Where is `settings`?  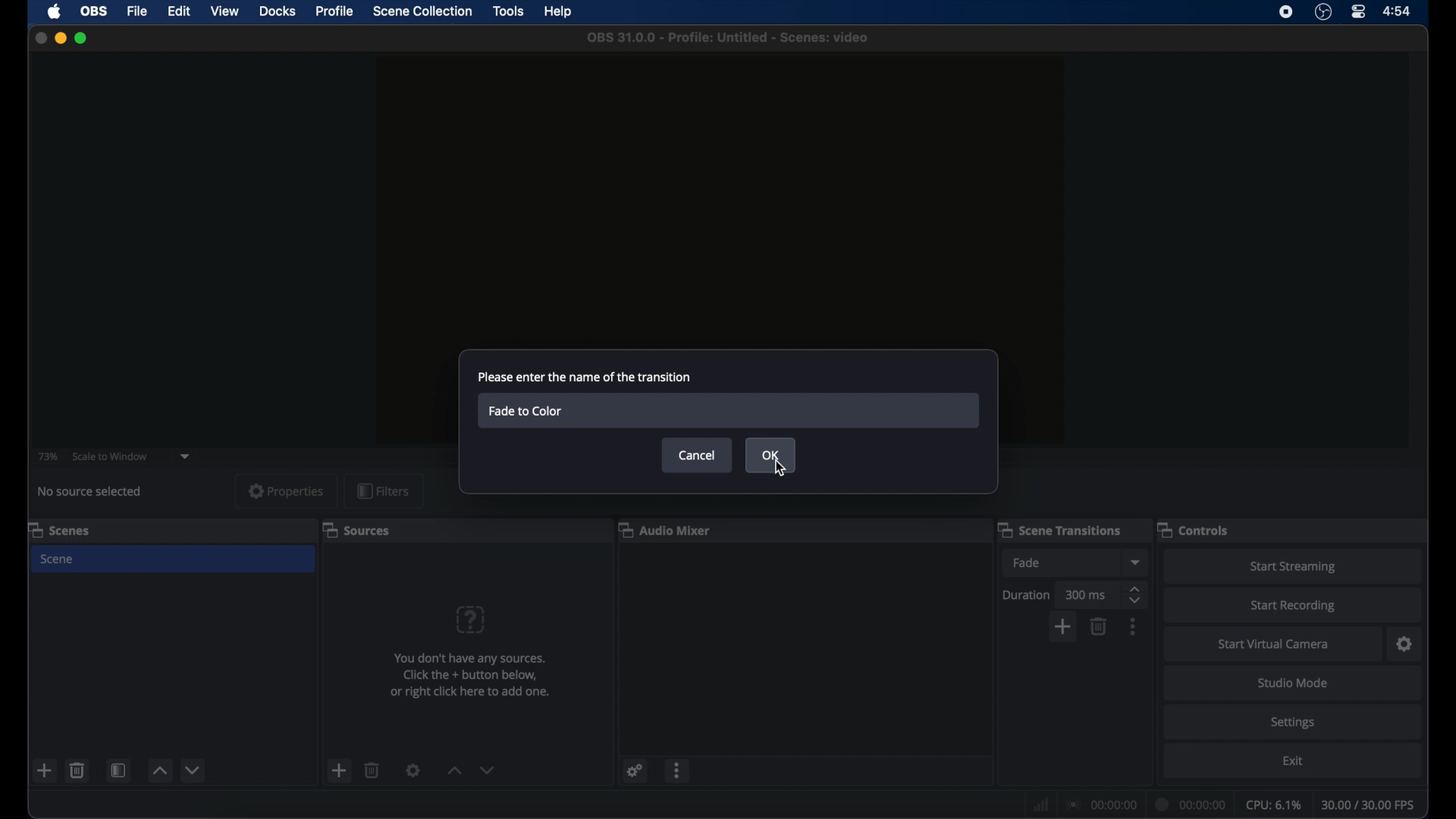
settings is located at coordinates (413, 770).